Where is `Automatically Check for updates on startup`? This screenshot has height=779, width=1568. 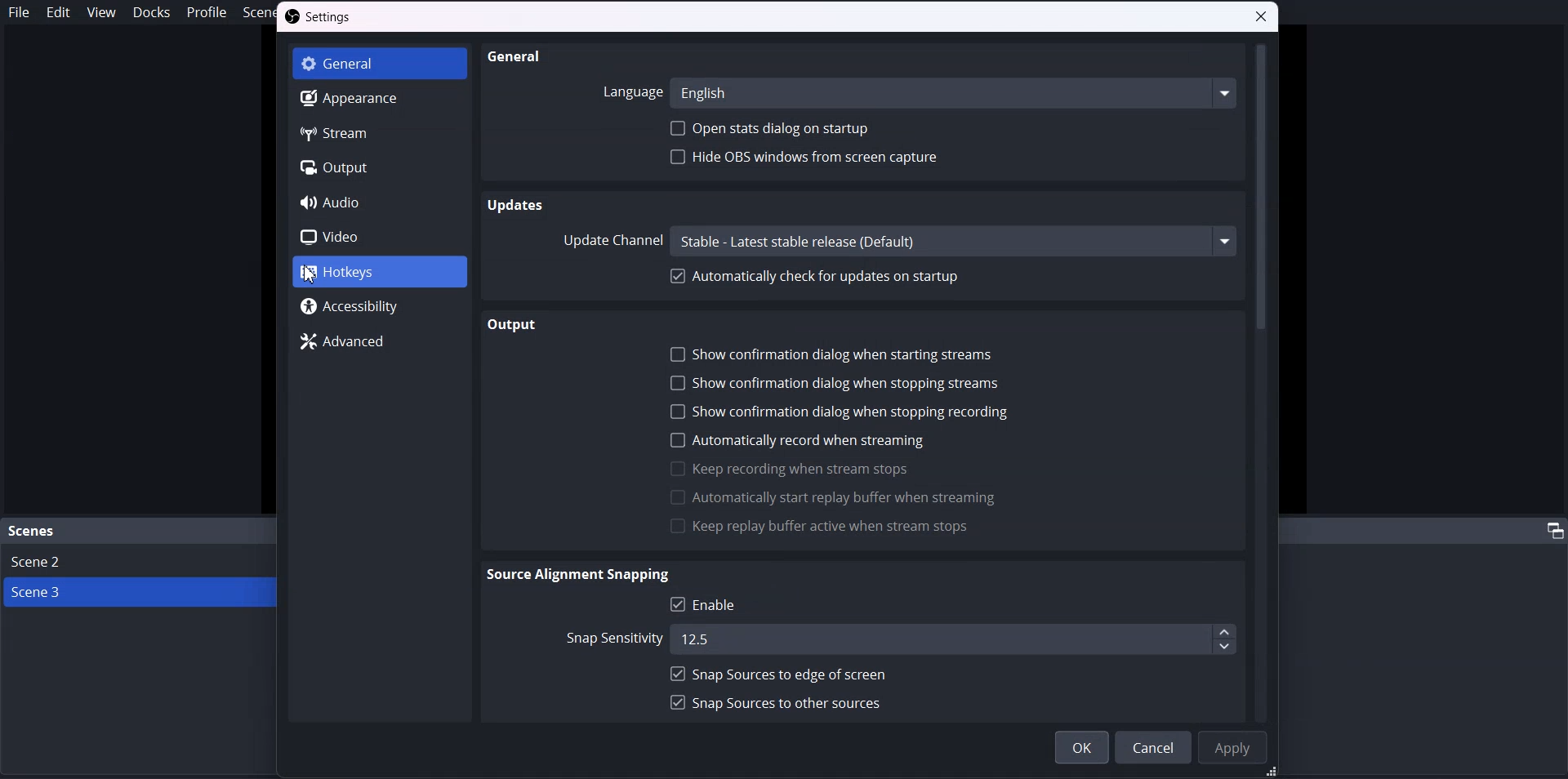
Automatically Check for updates on startup is located at coordinates (816, 277).